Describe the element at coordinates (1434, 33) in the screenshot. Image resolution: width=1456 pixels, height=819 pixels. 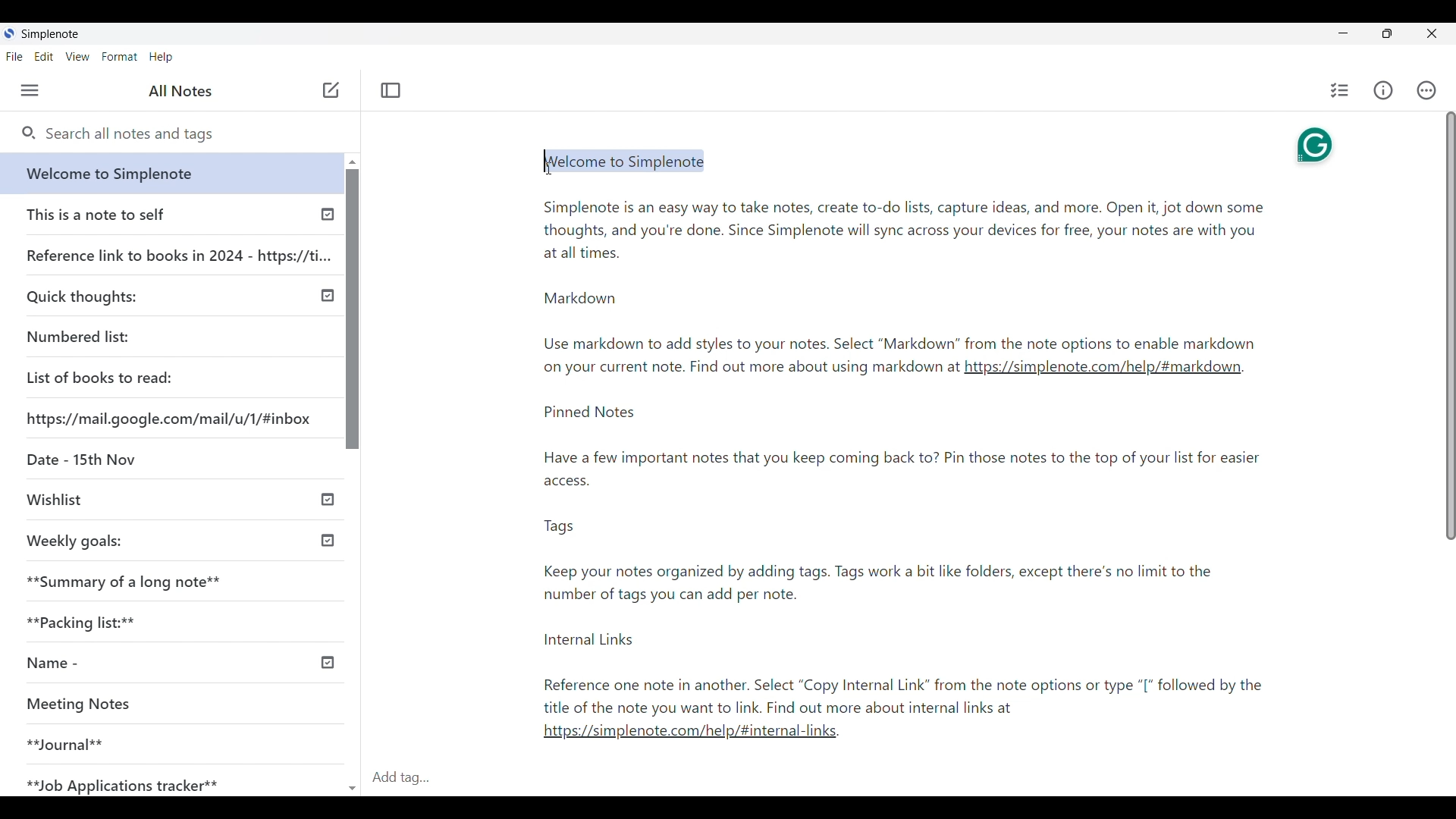
I see `Close interface` at that location.